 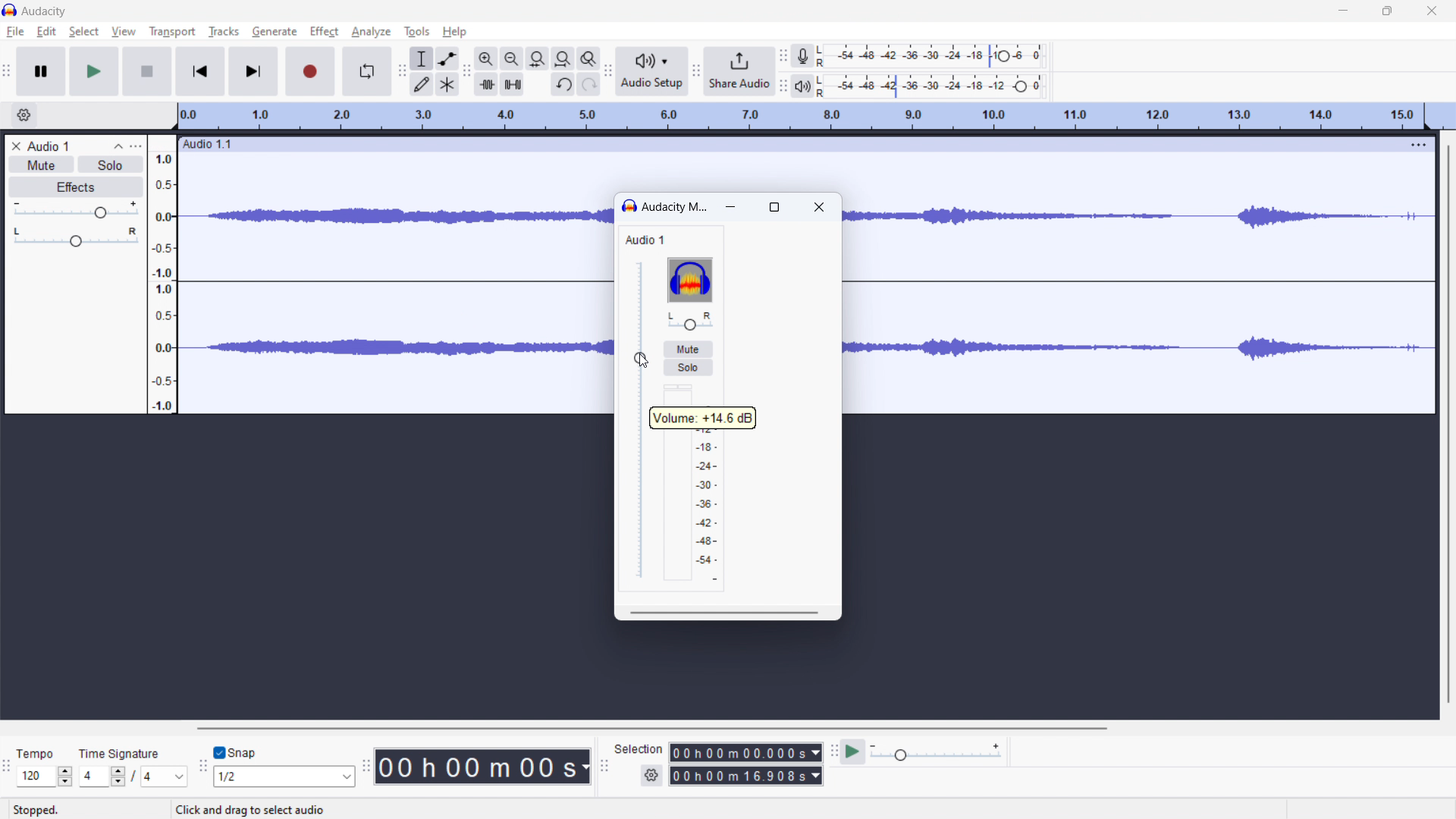 I want to click on edit toolbar, so click(x=466, y=70).